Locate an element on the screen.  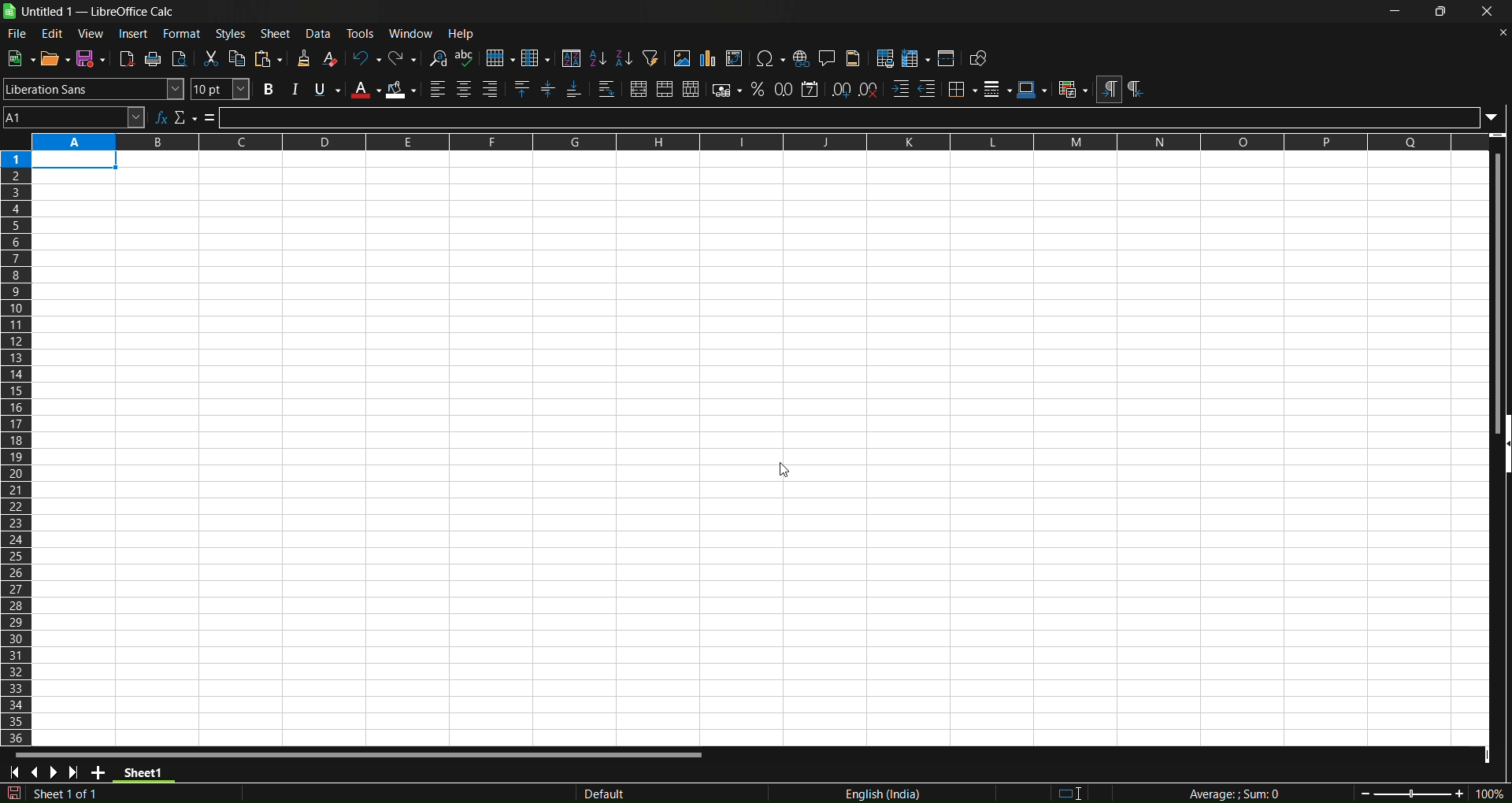
scroll to first sheet is located at coordinates (15, 773).